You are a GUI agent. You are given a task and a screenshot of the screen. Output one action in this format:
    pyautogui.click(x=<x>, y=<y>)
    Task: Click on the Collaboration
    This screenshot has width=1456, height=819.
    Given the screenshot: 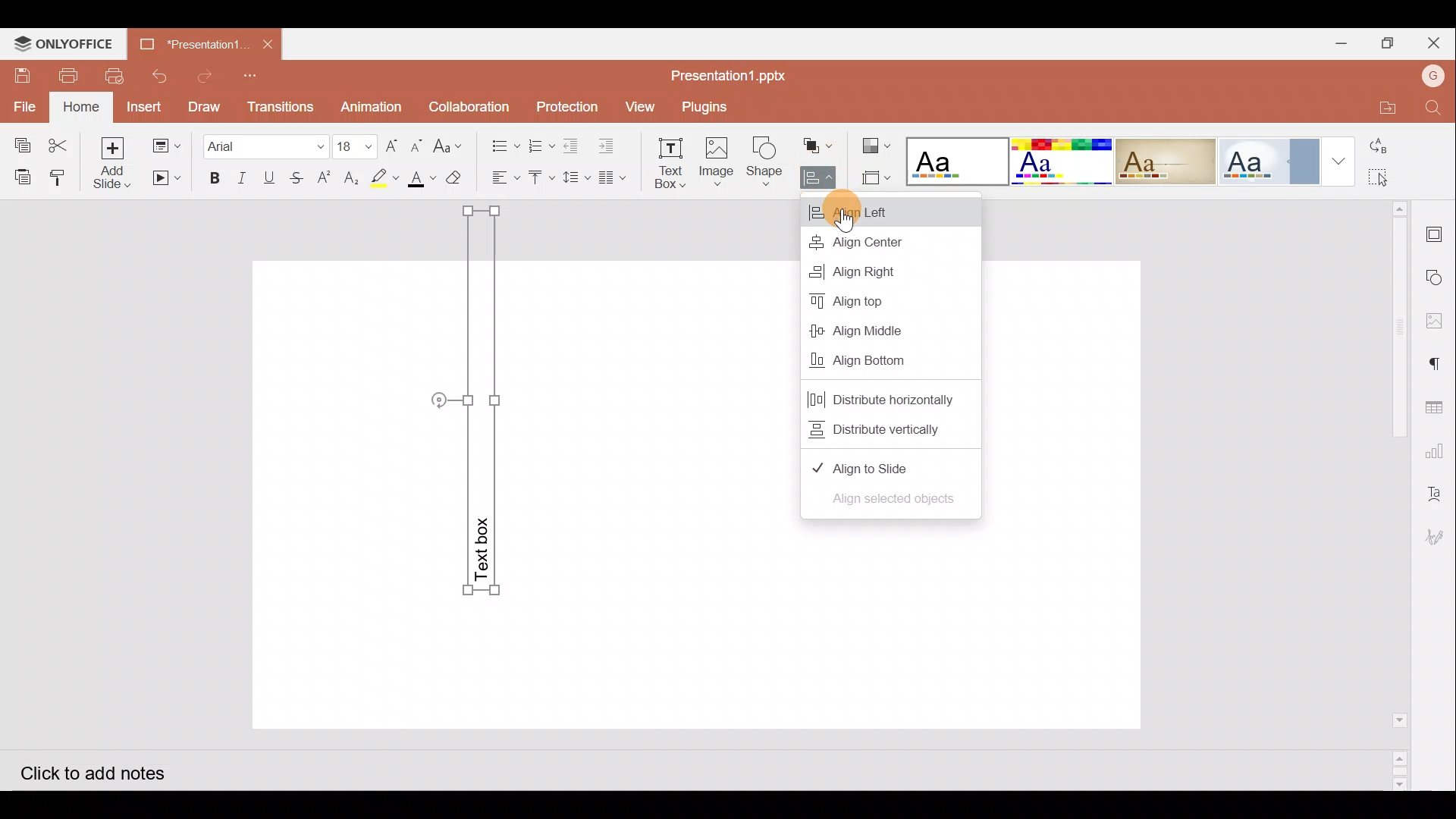 What is the action you would take?
    pyautogui.click(x=470, y=105)
    